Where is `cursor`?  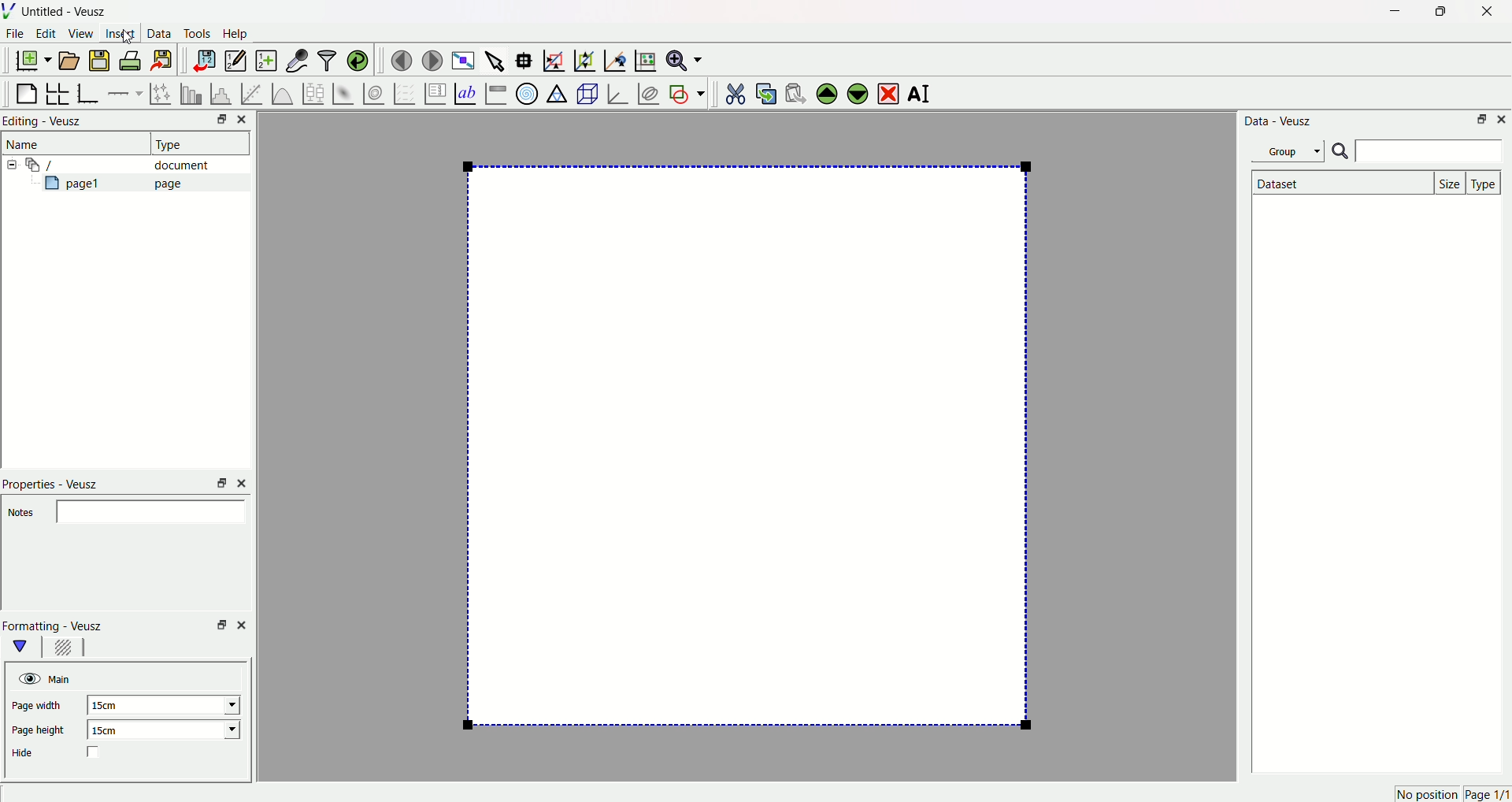 cursor is located at coordinates (128, 39).